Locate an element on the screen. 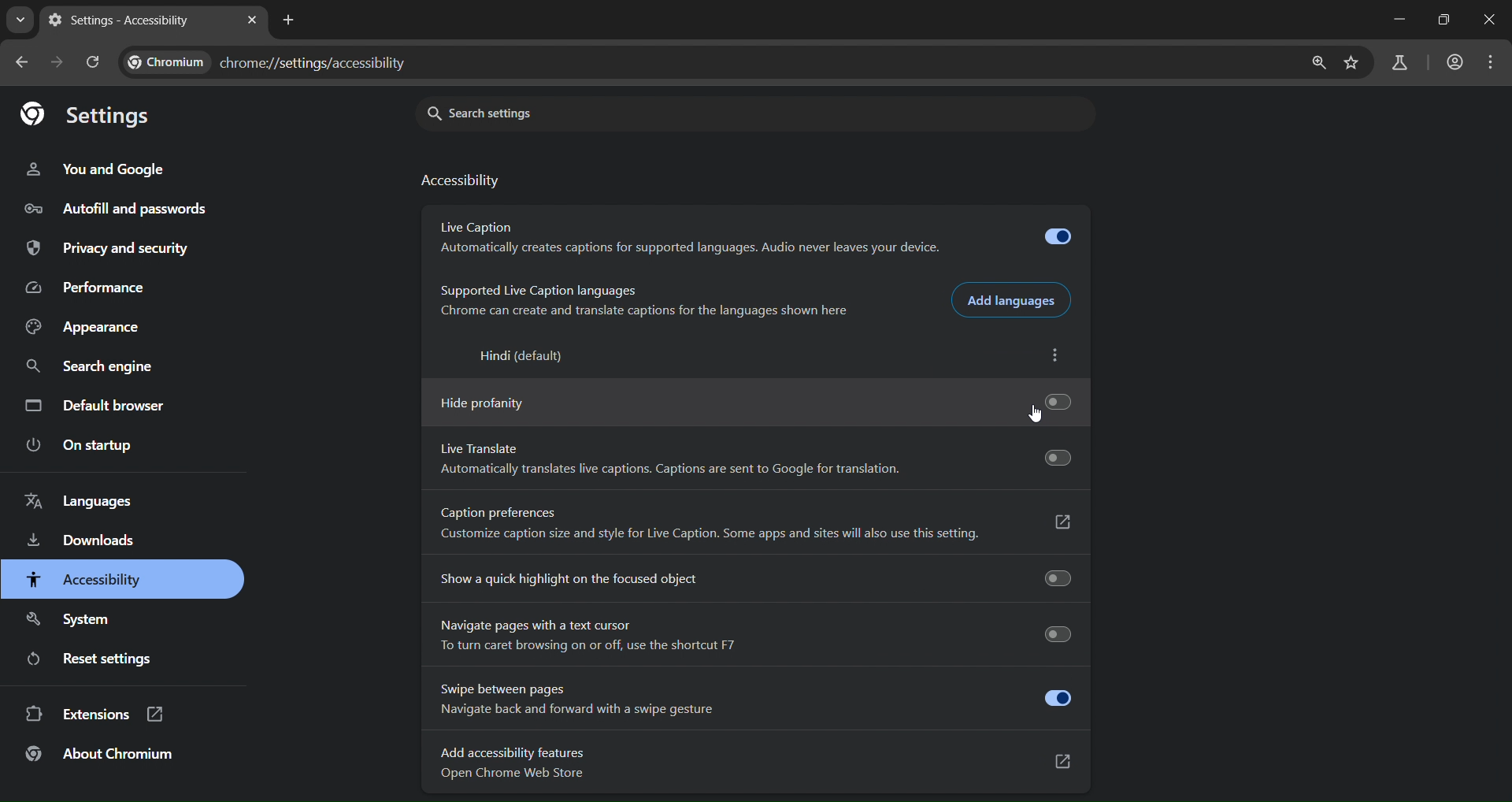 The width and height of the screenshot is (1512, 802). hide profanity is located at coordinates (765, 400).